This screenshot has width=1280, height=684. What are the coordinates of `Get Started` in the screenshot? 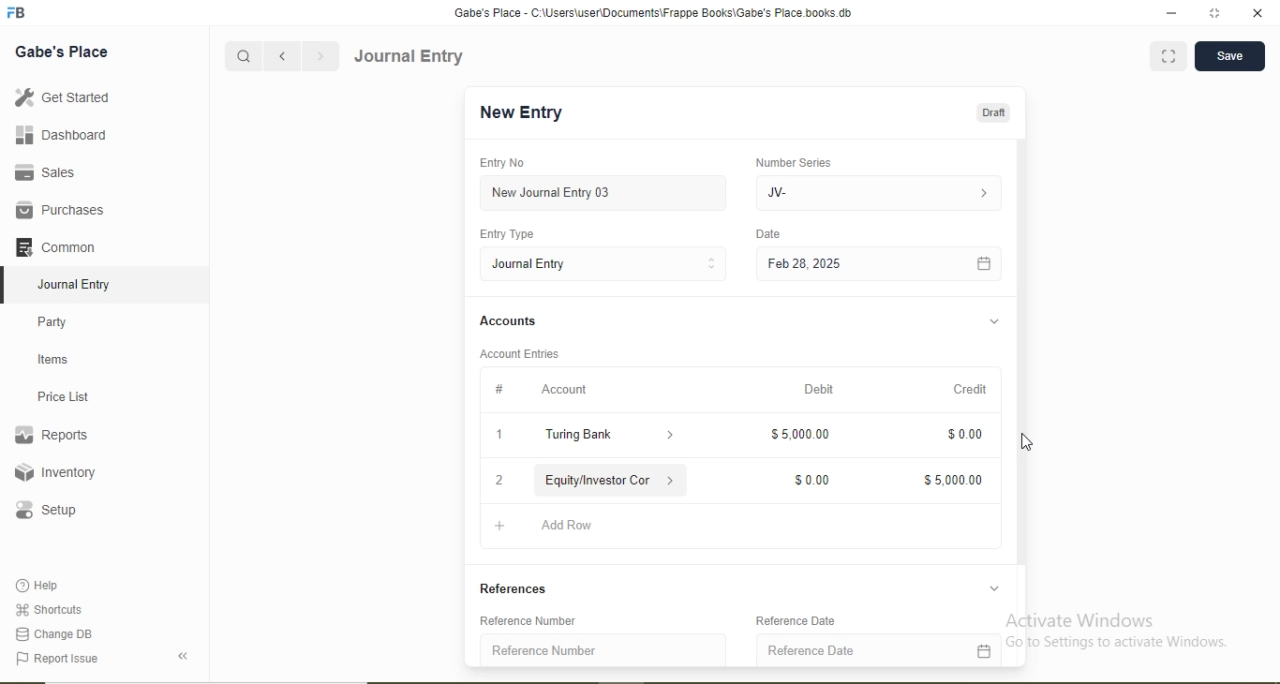 It's located at (61, 96).